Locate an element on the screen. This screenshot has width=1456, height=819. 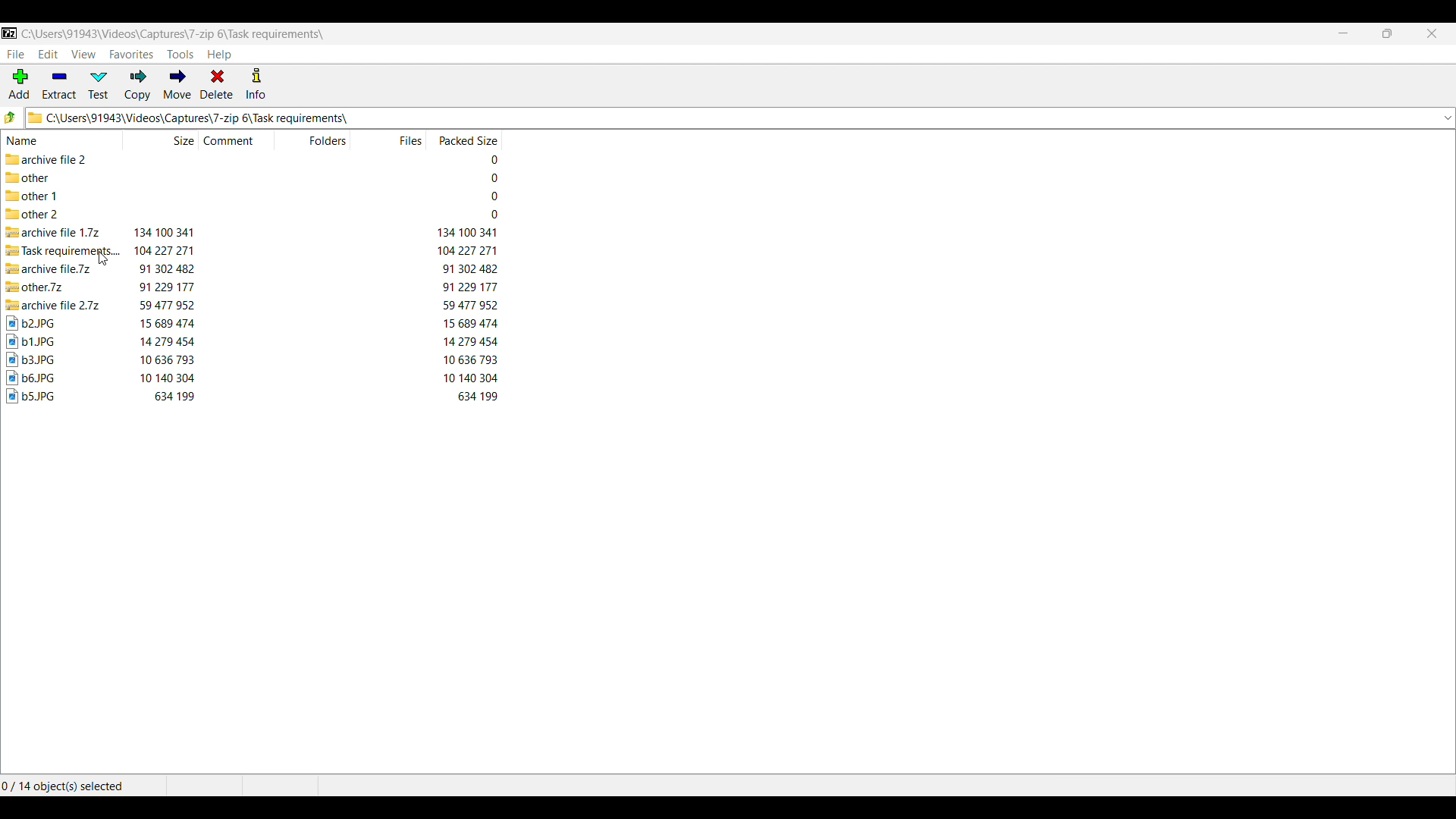
size is located at coordinates (168, 304).